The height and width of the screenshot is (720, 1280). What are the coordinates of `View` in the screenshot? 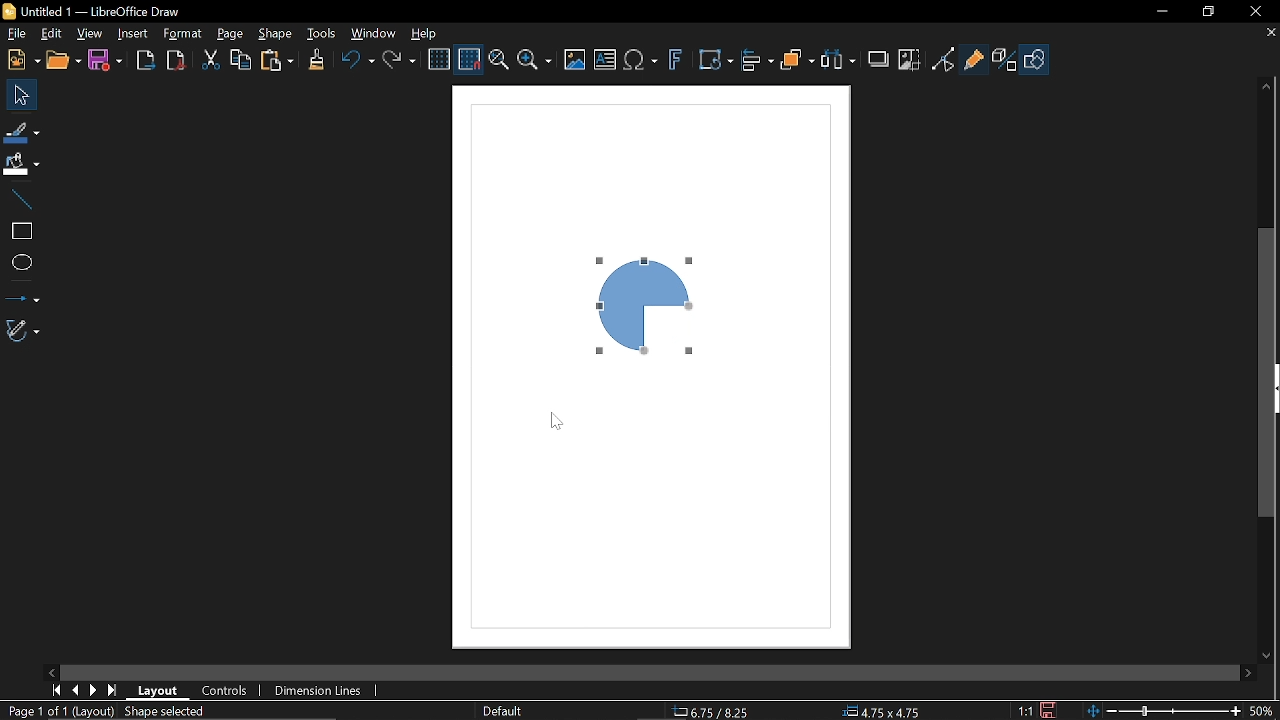 It's located at (90, 34).